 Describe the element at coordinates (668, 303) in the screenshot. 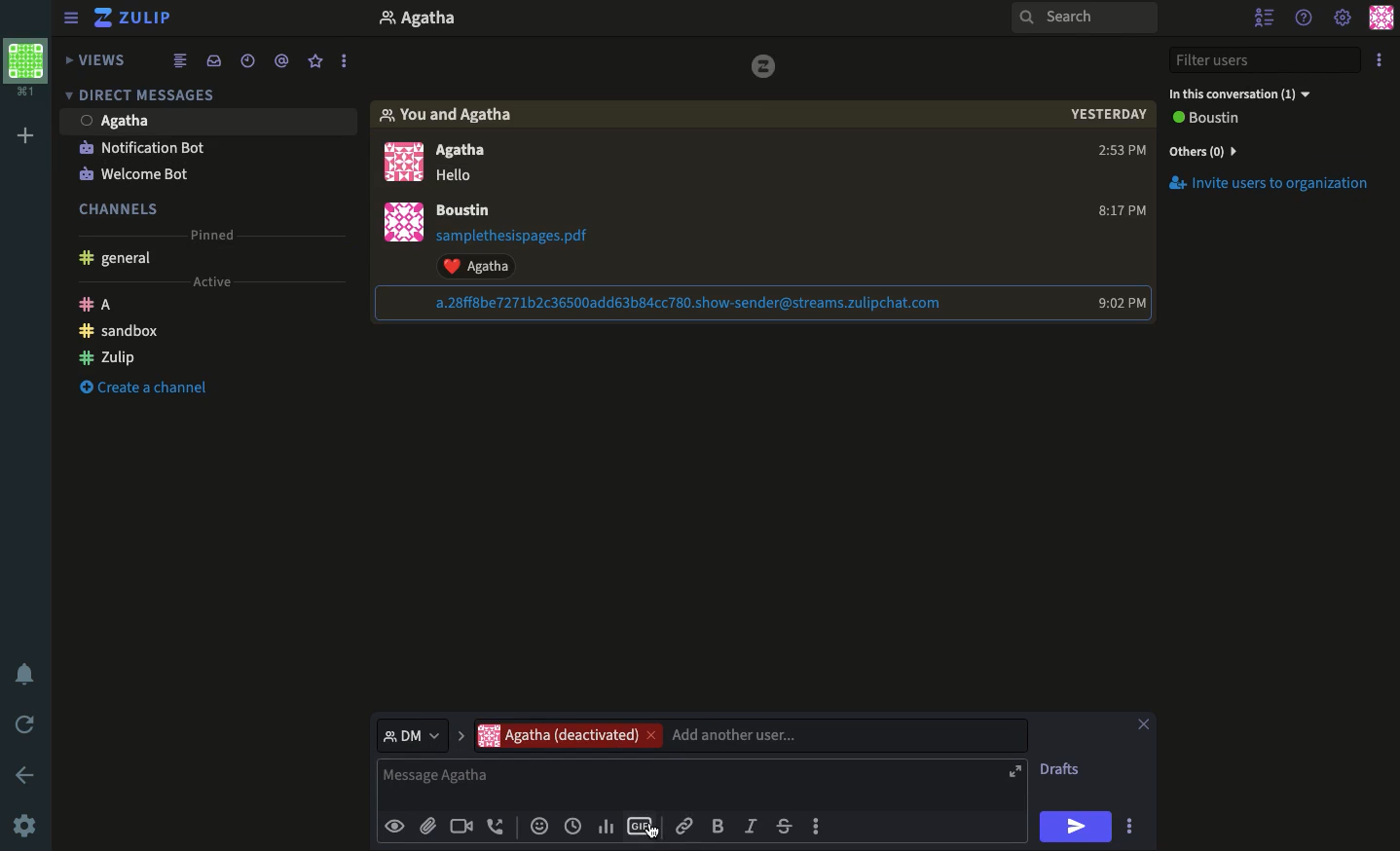

I see `Attachment` at that location.